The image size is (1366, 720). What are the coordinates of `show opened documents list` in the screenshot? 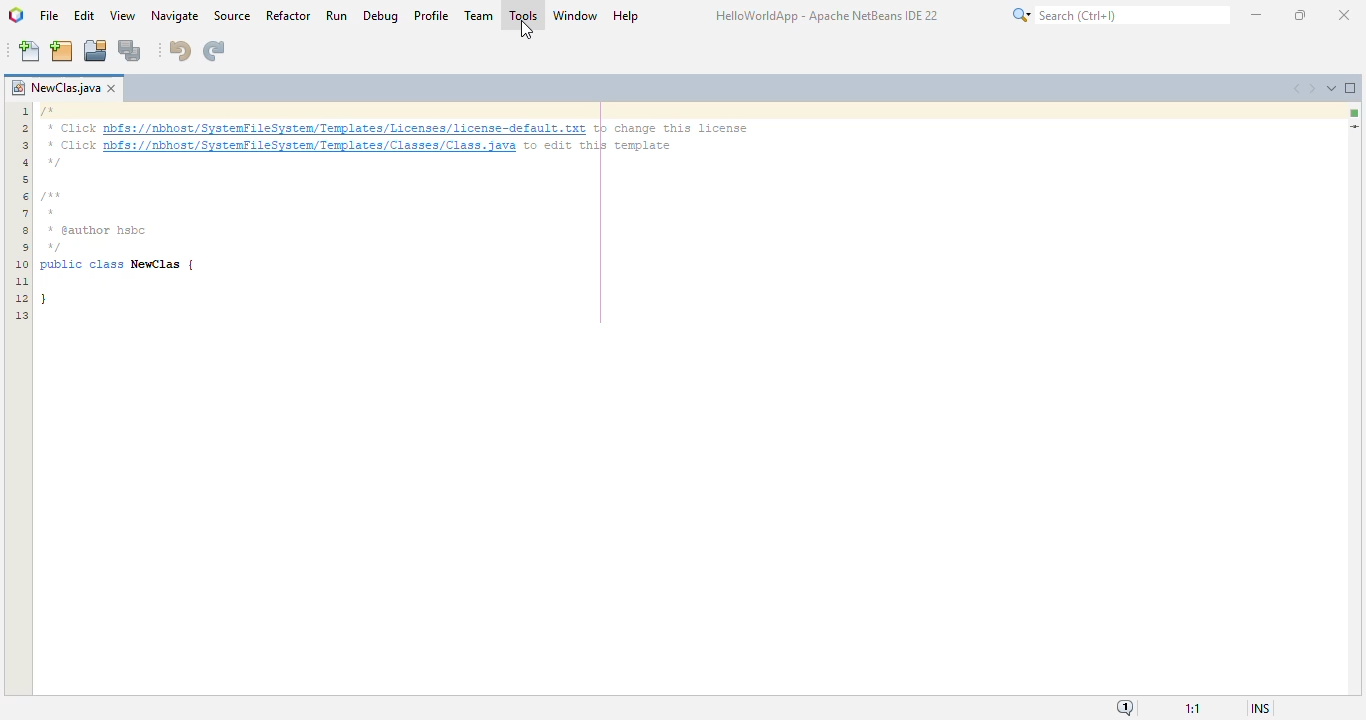 It's located at (1332, 88).